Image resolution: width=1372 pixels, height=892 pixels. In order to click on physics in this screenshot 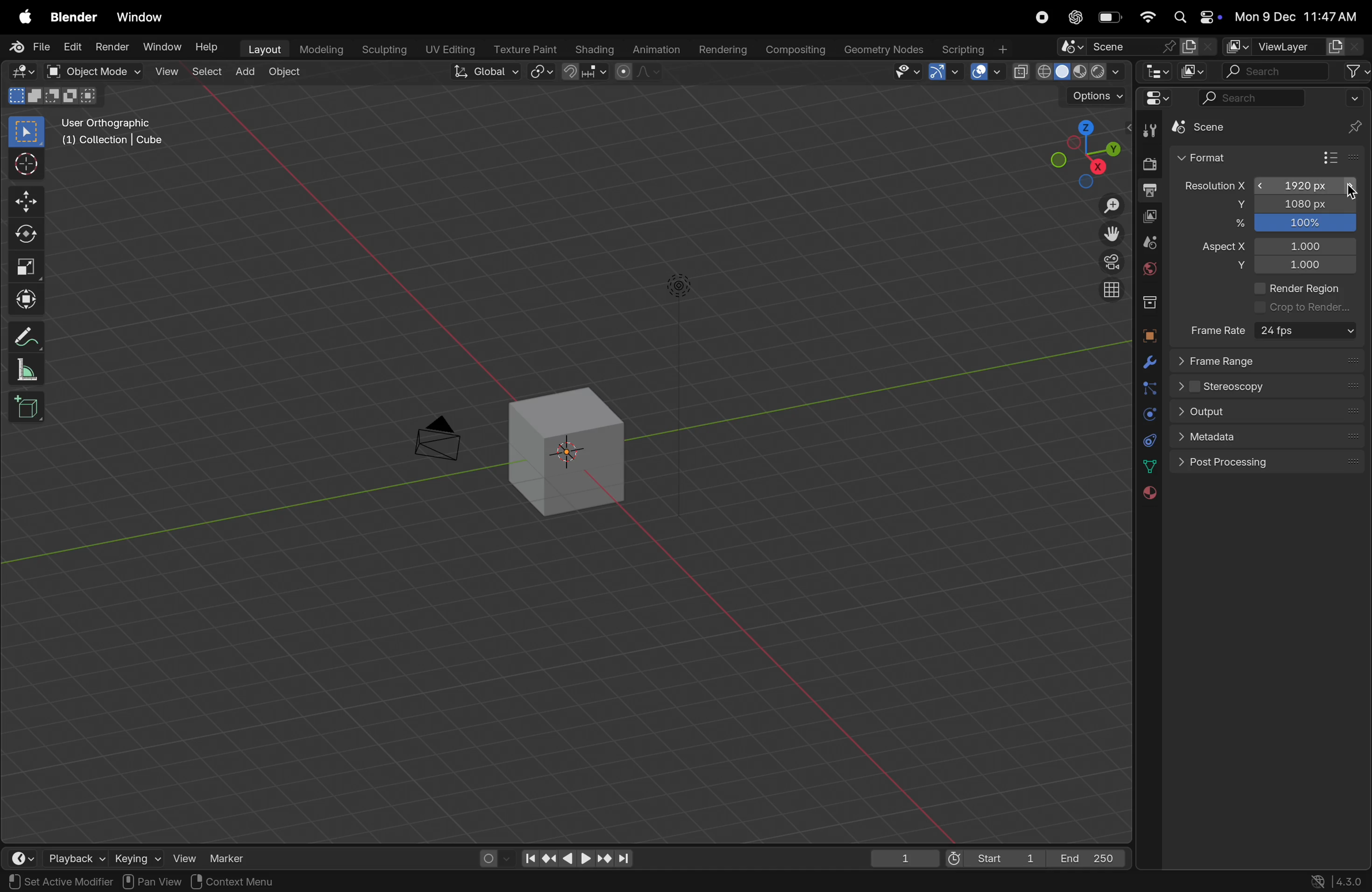, I will do `click(1147, 413)`.